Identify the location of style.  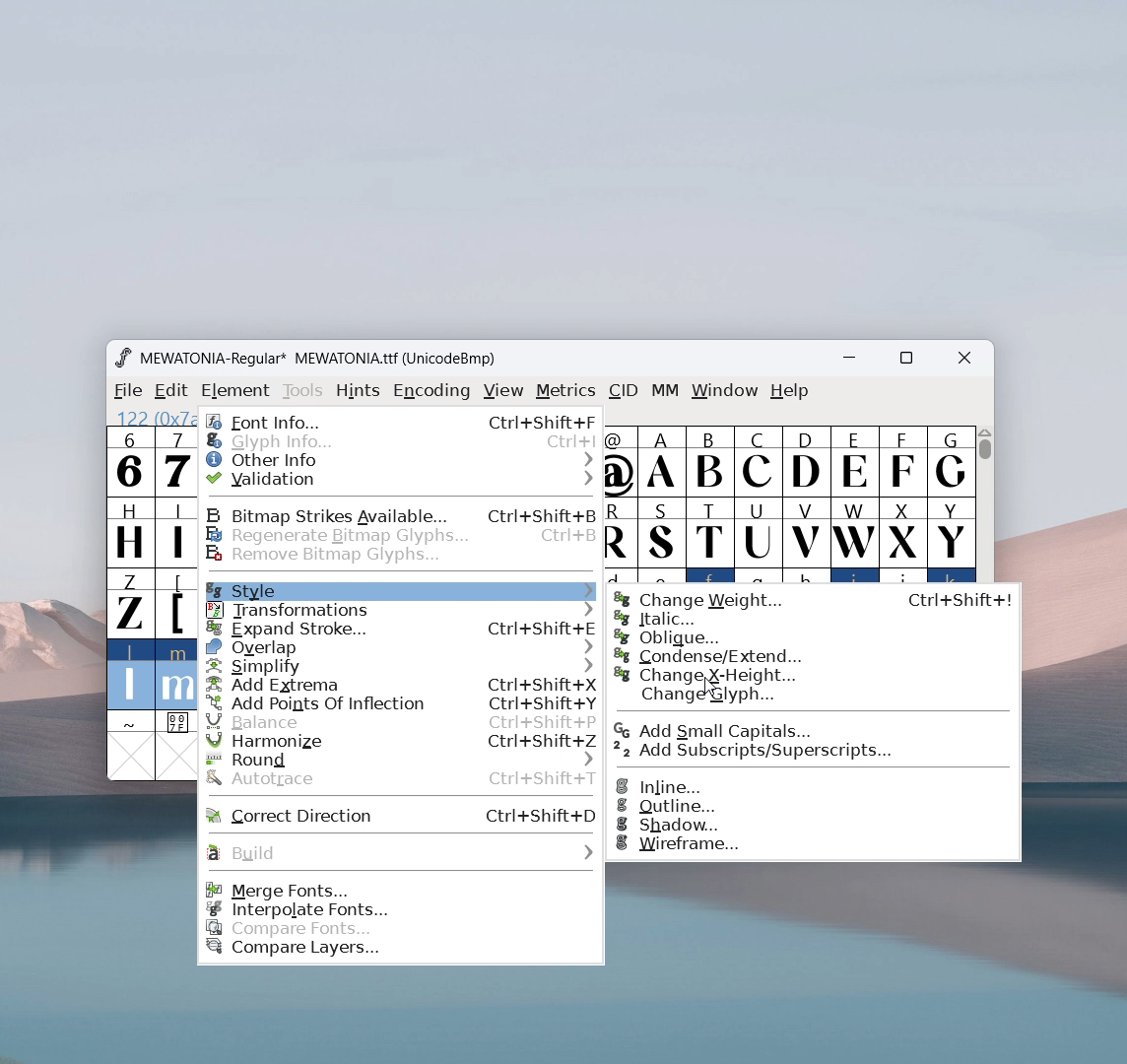
(401, 588).